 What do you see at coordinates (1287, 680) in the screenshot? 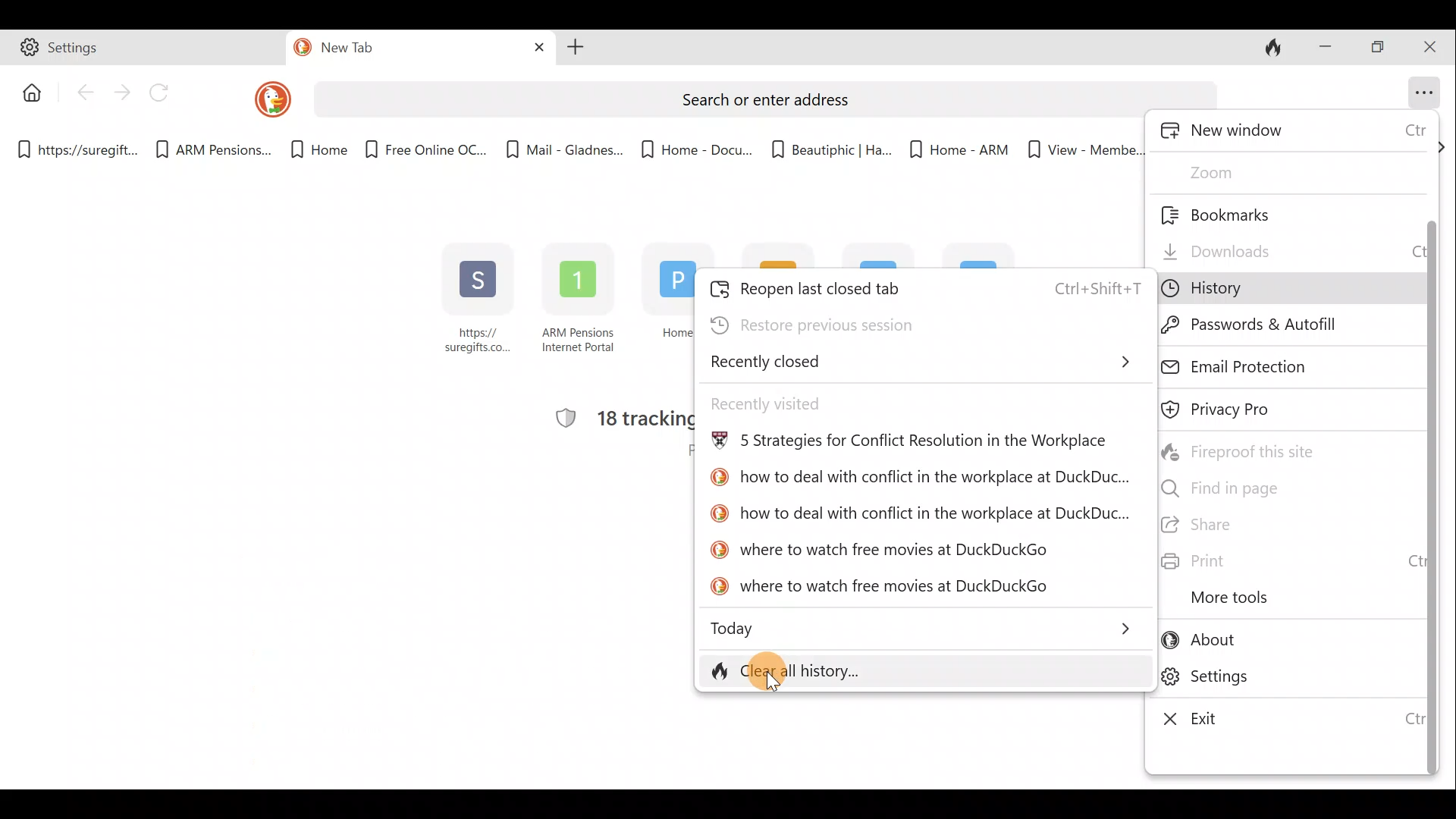
I see `Settings` at bounding box center [1287, 680].